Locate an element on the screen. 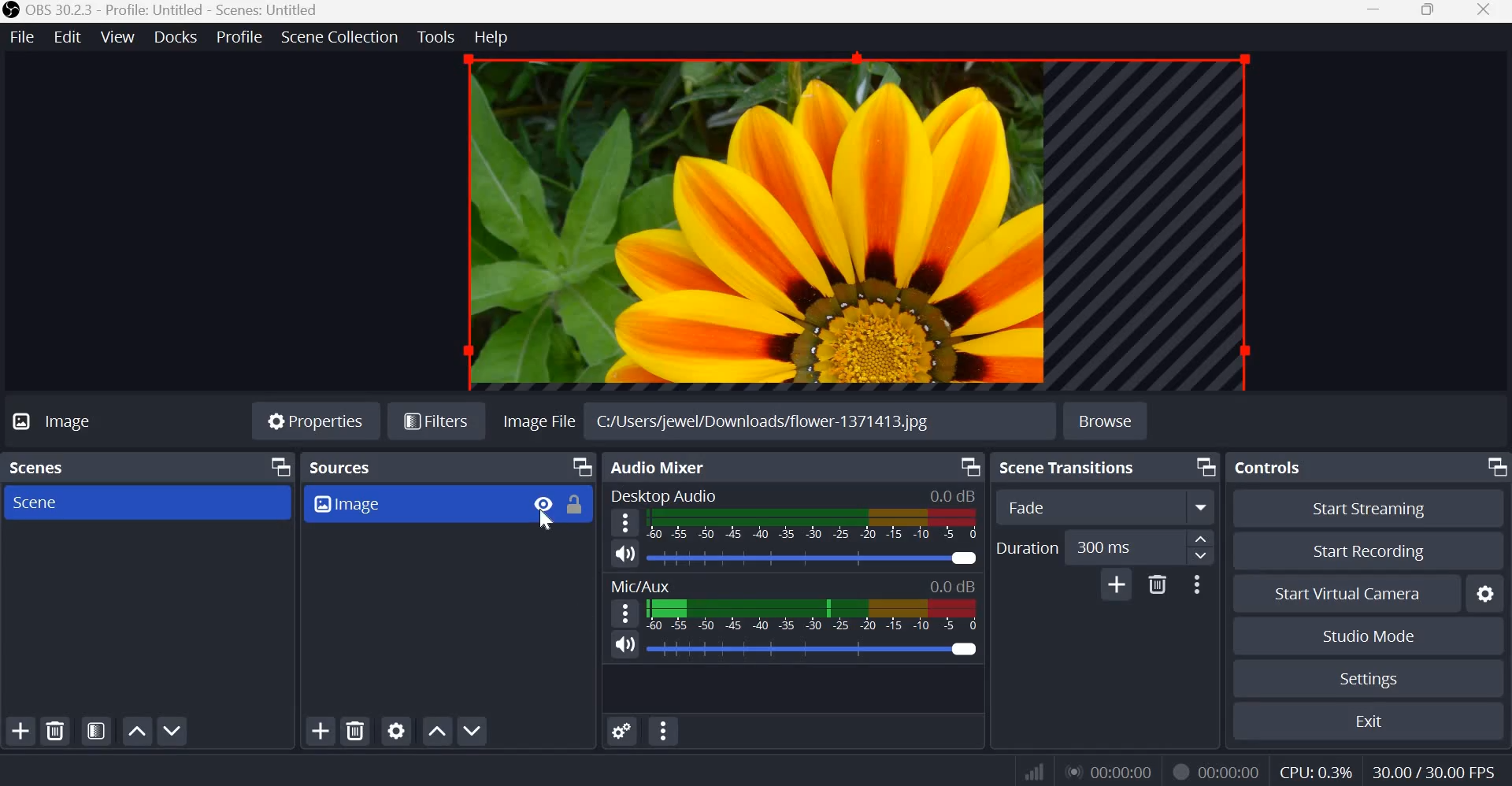 Image resolution: width=1512 pixels, height=786 pixels. image file is located at coordinates (538, 421).